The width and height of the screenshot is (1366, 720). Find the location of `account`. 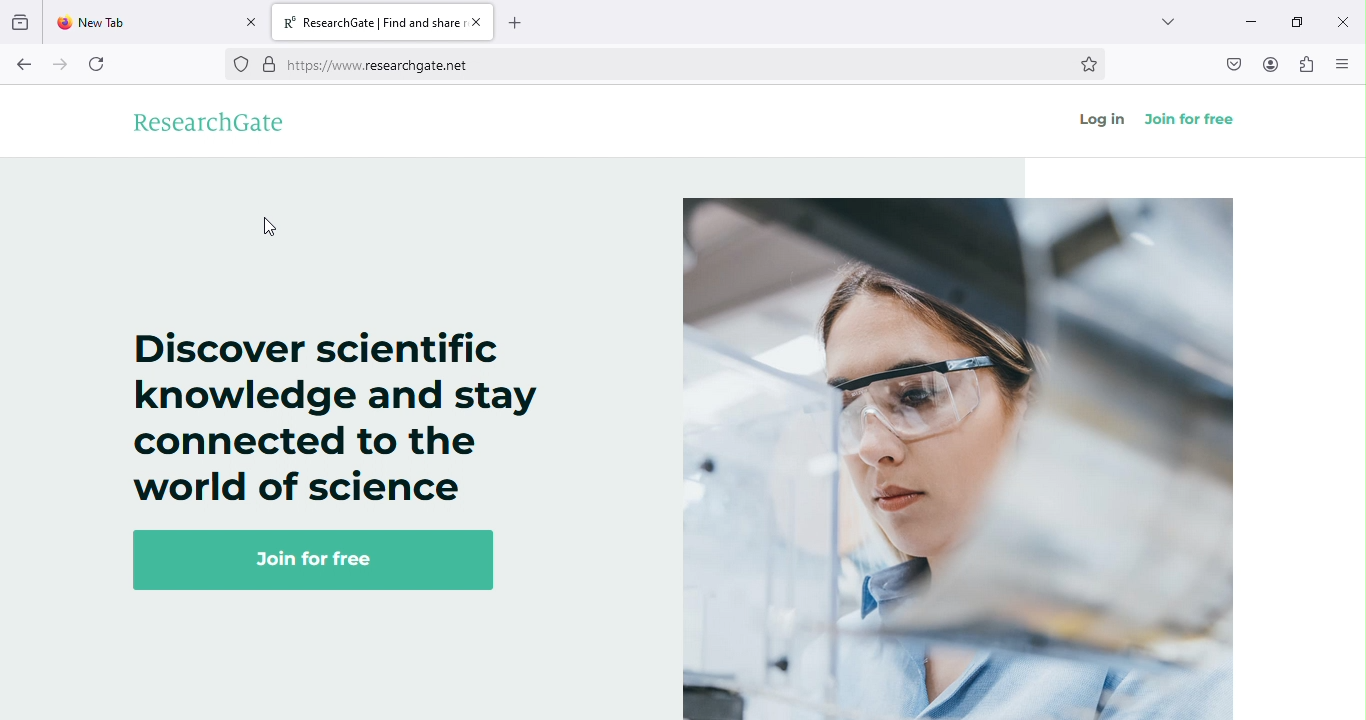

account is located at coordinates (1274, 65).